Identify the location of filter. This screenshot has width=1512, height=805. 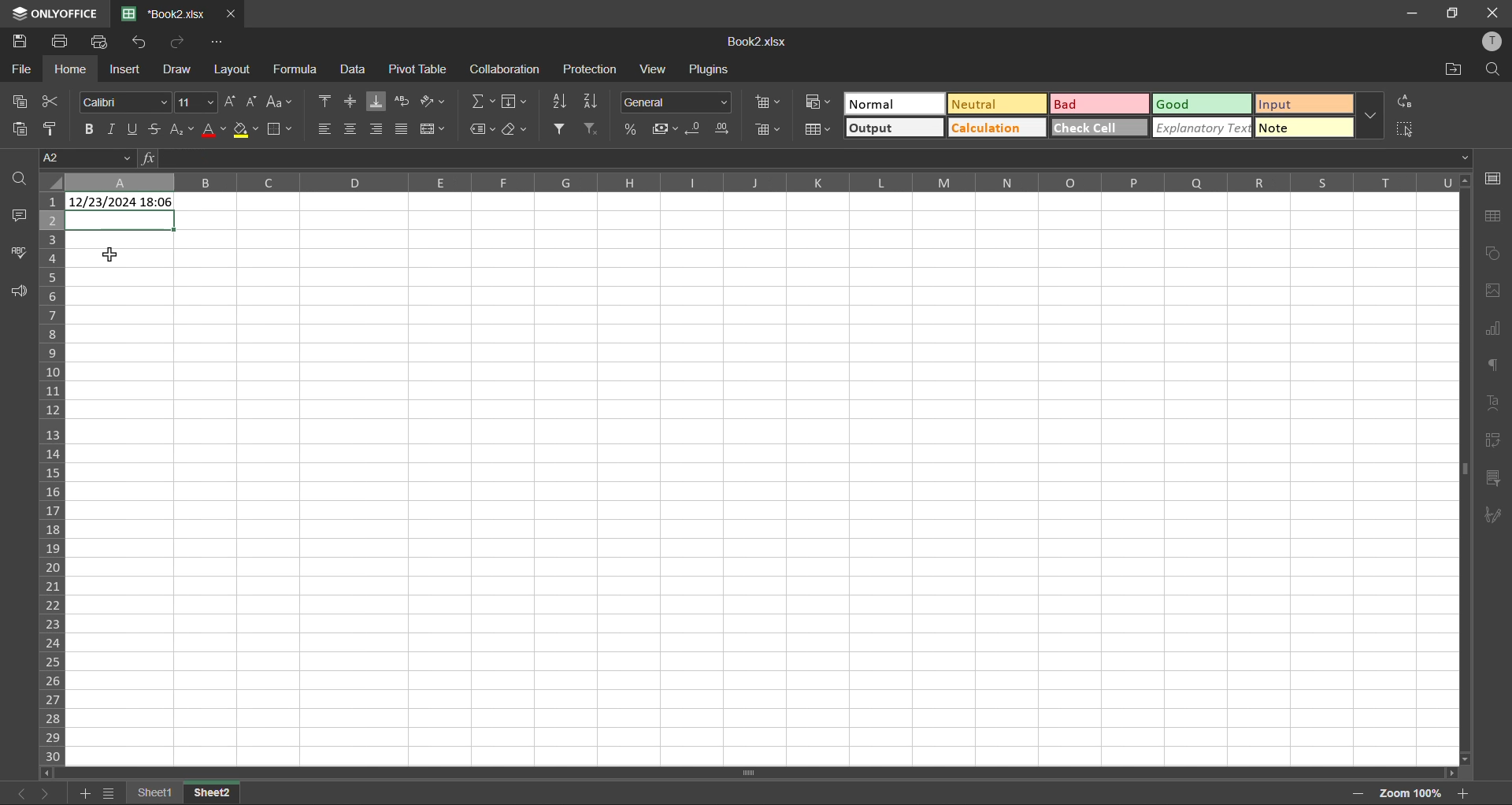
(561, 129).